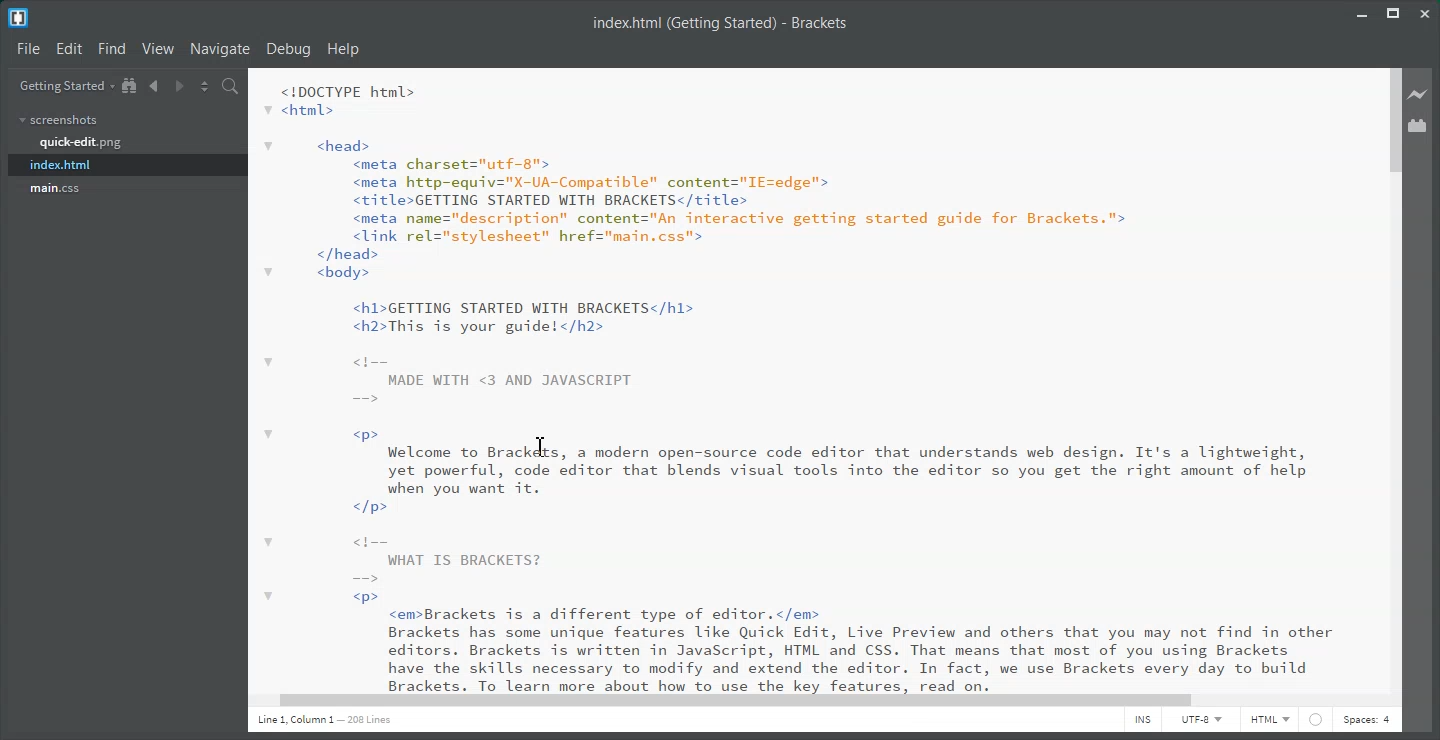 The width and height of the screenshot is (1440, 740). Describe the element at coordinates (56, 188) in the screenshot. I see `main.css` at that location.